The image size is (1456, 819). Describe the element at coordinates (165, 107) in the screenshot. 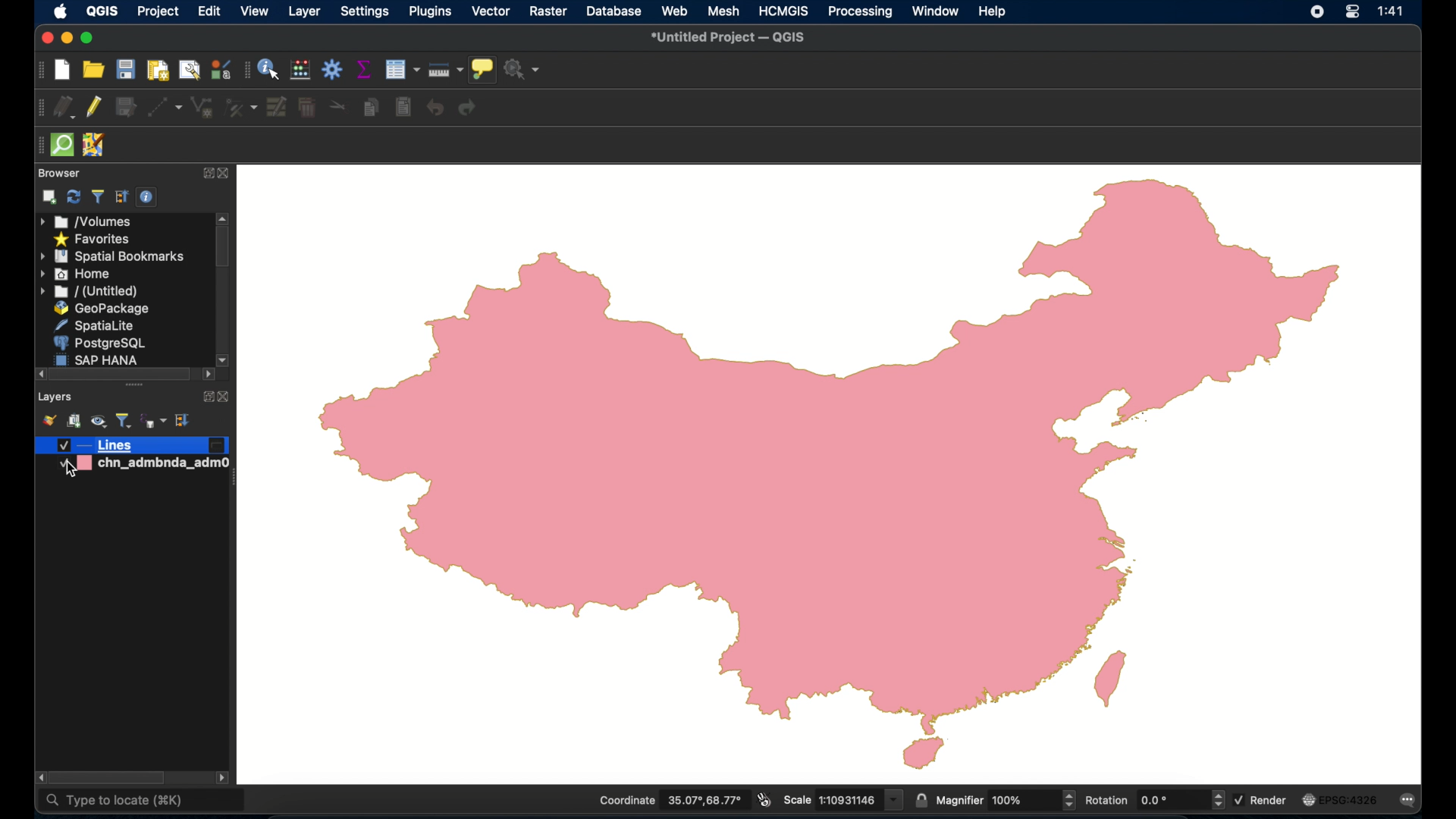

I see `digitize with segment` at that location.